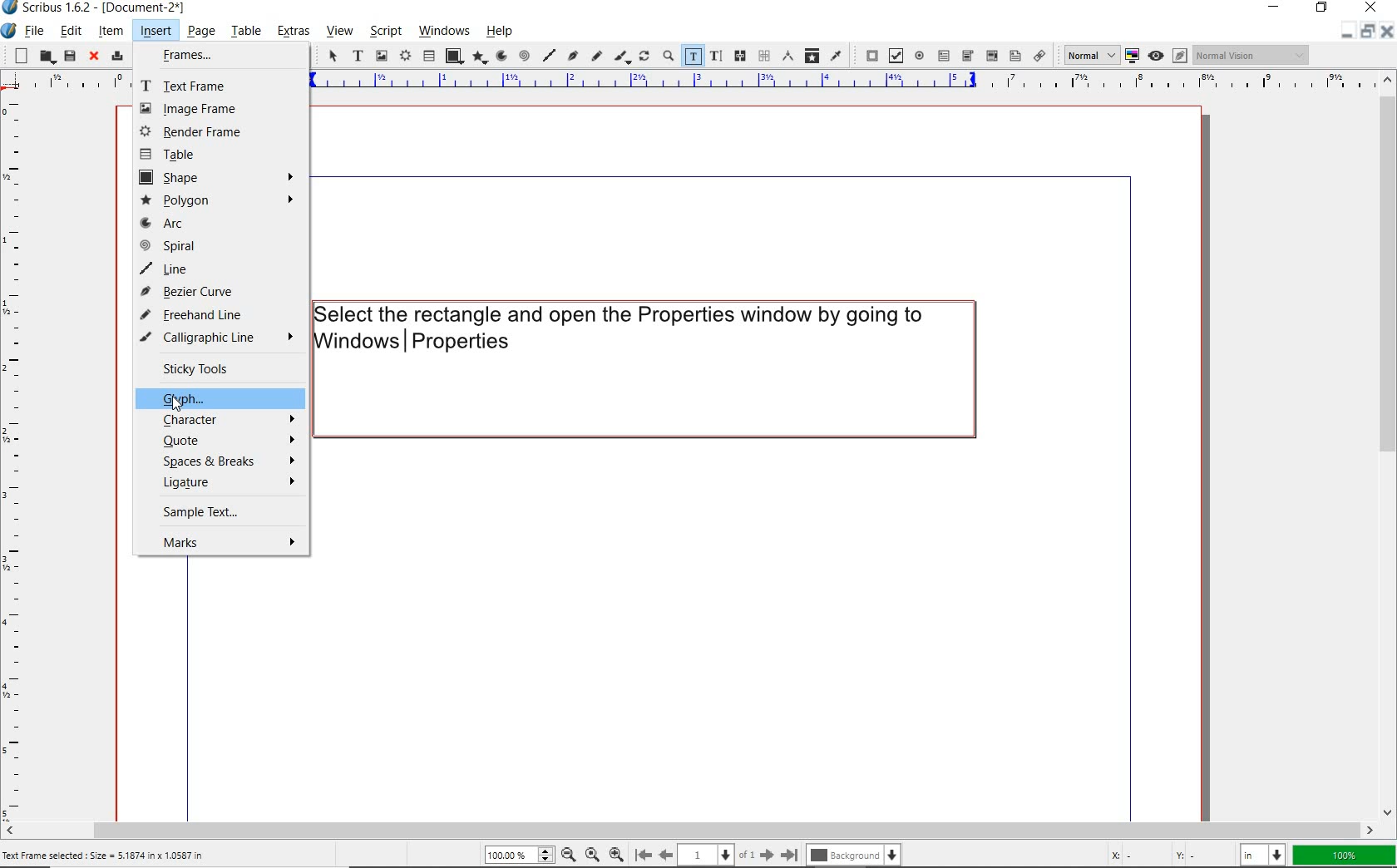 This screenshot has height=868, width=1397. What do you see at coordinates (1389, 446) in the screenshot?
I see `scrollbar` at bounding box center [1389, 446].